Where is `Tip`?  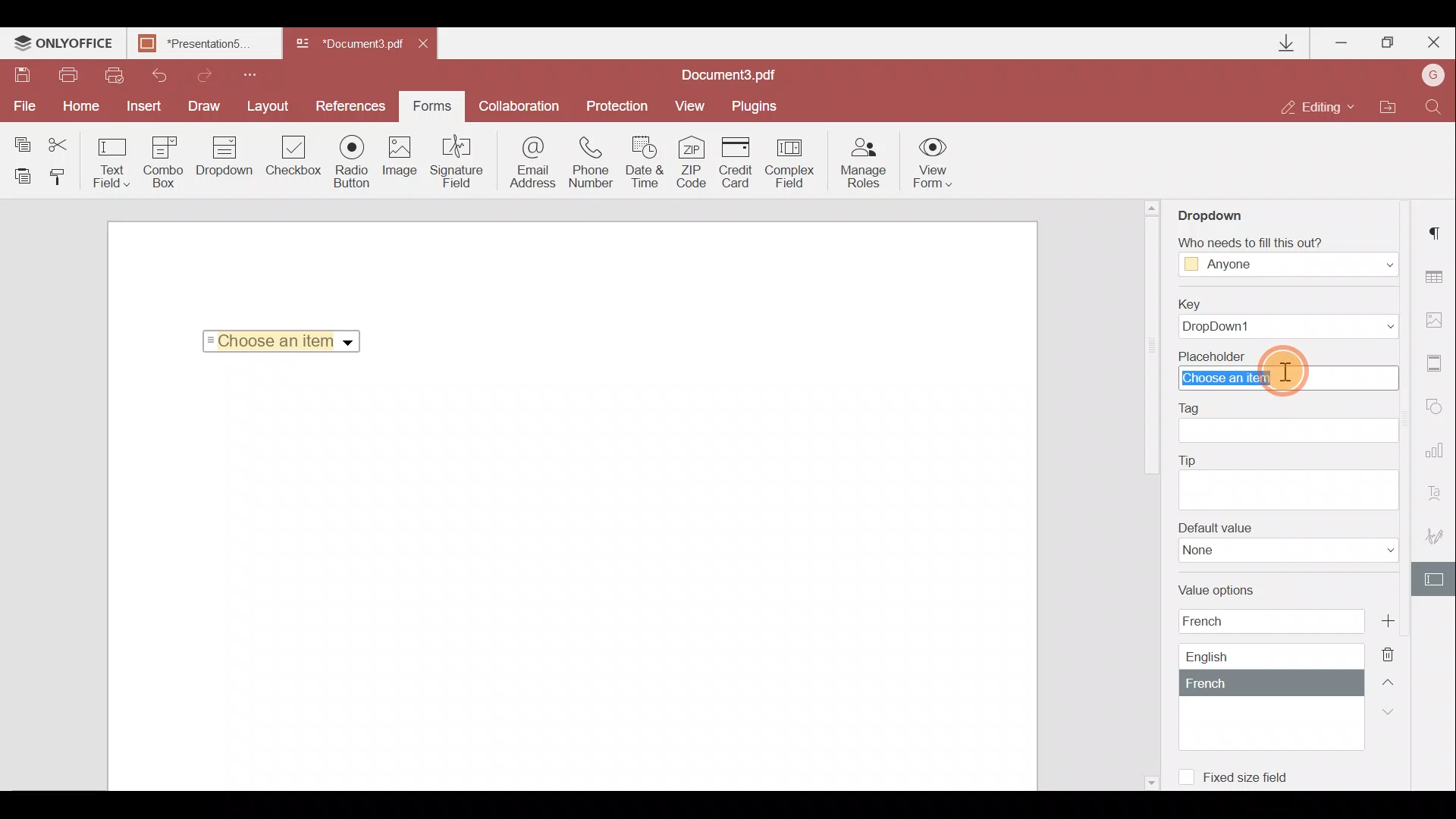 Tip is located at coordinates (1288, 480).